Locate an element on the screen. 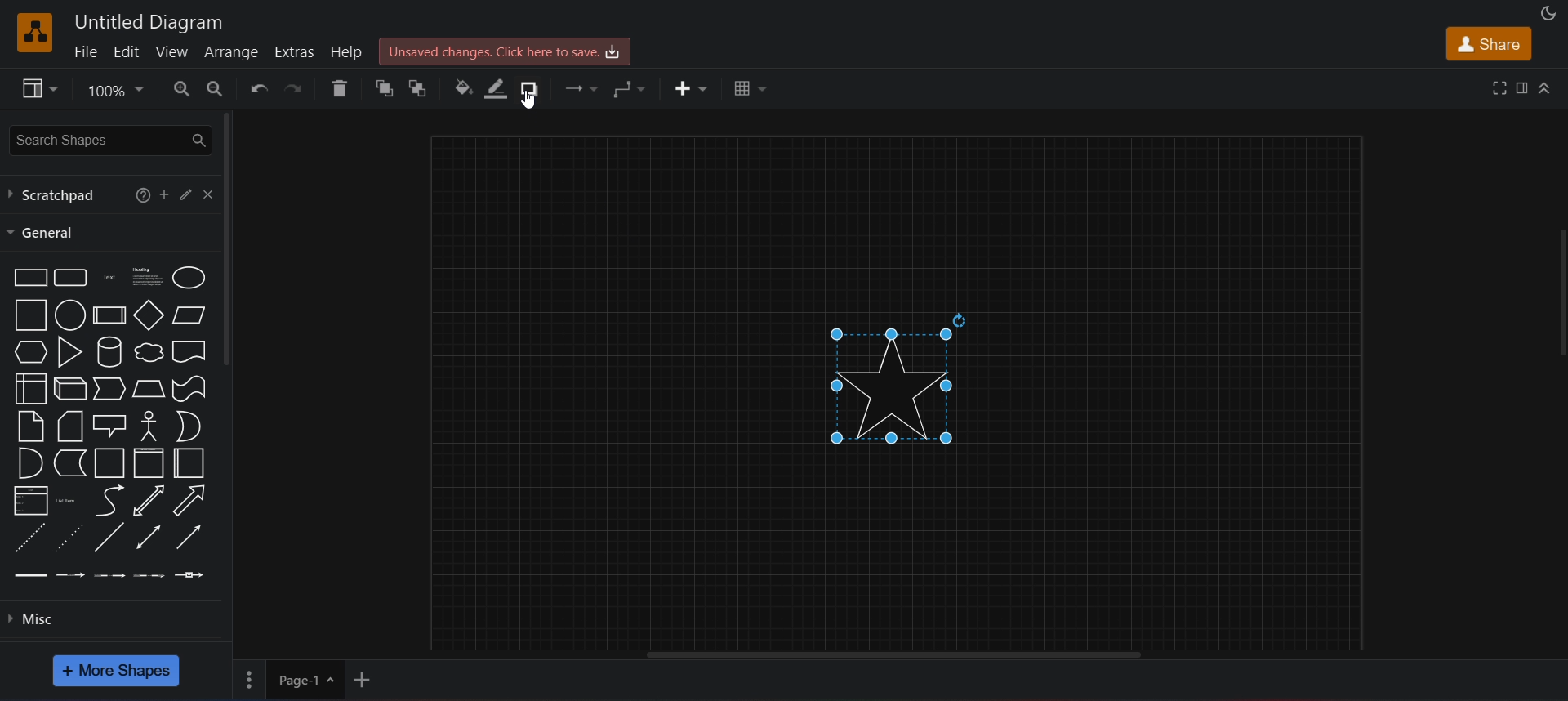  arrow is located at coordinates (193, 501).